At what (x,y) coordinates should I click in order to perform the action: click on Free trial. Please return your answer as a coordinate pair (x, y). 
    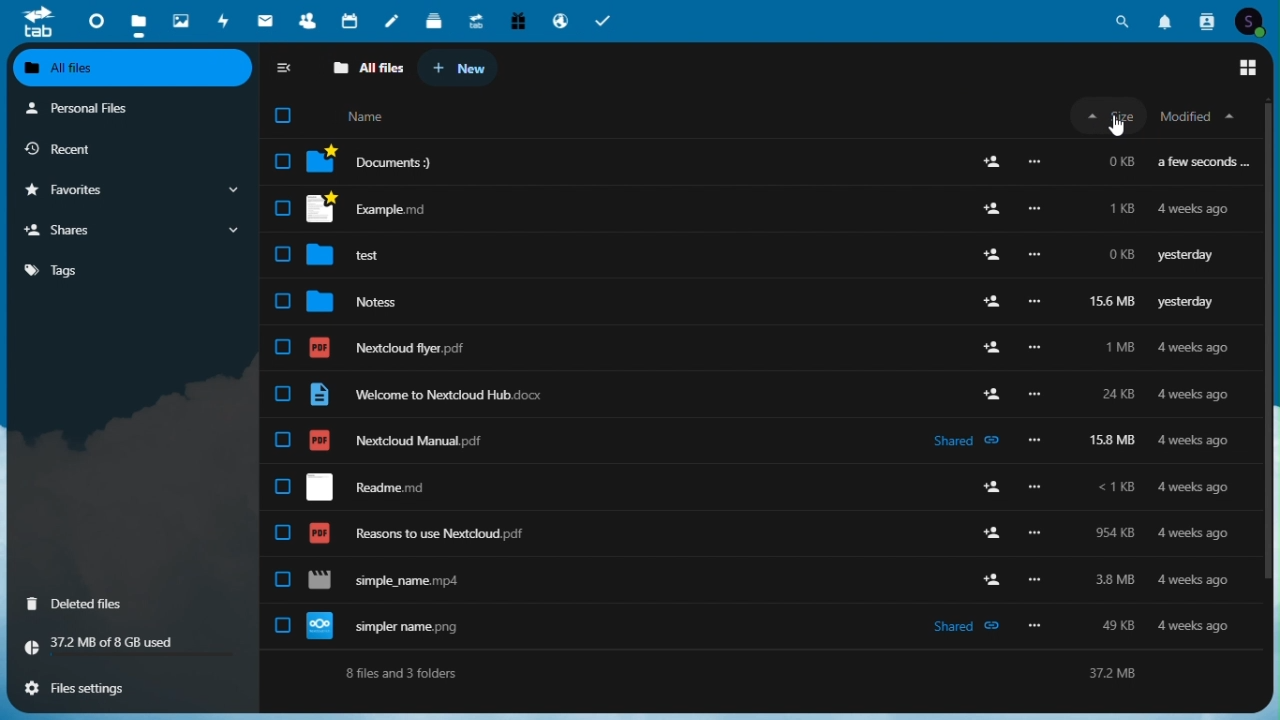
    Looking at the image, I should click on (519, 17).